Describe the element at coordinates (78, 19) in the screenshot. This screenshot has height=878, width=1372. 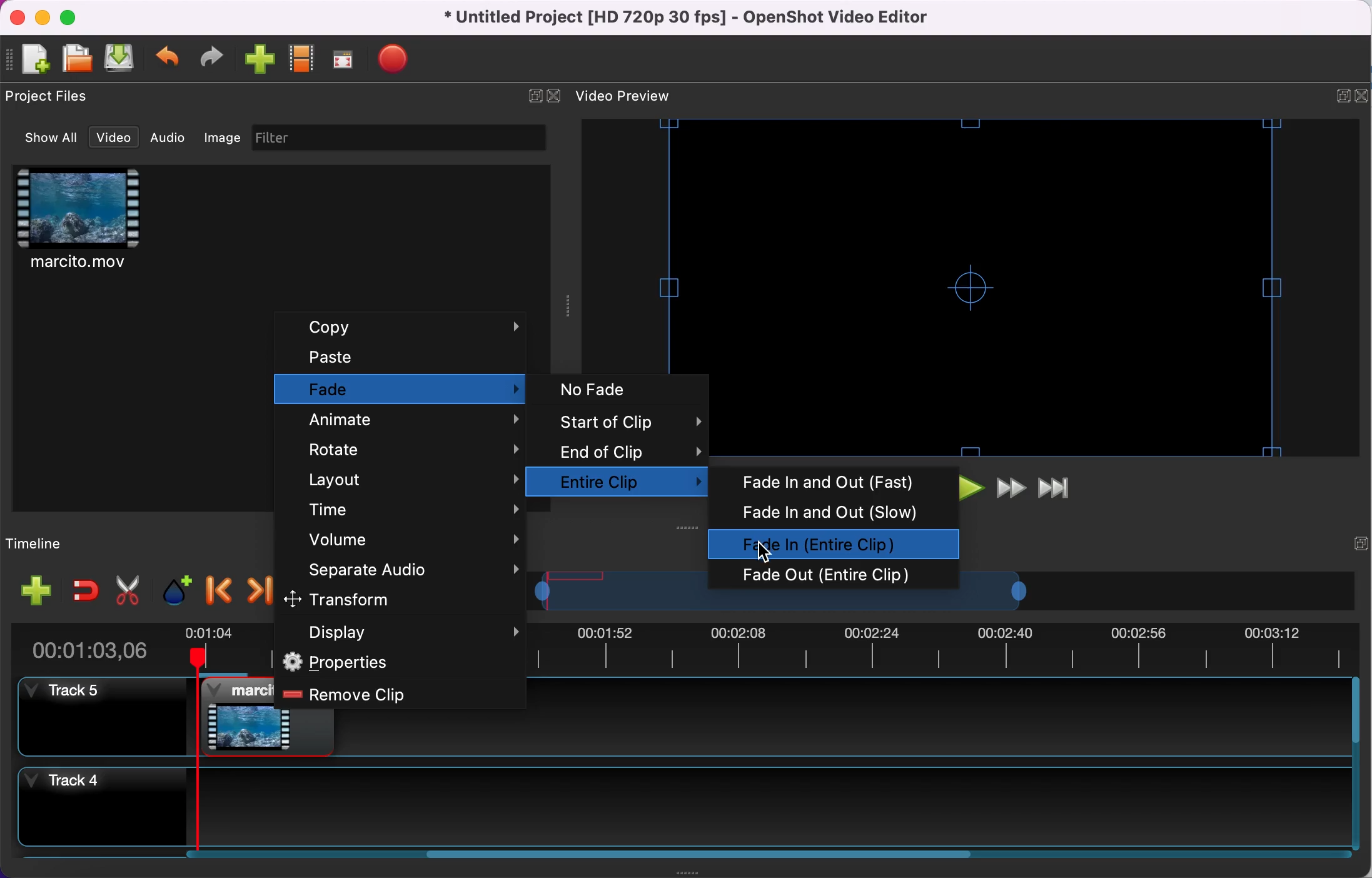
I see `maximize` at that location.